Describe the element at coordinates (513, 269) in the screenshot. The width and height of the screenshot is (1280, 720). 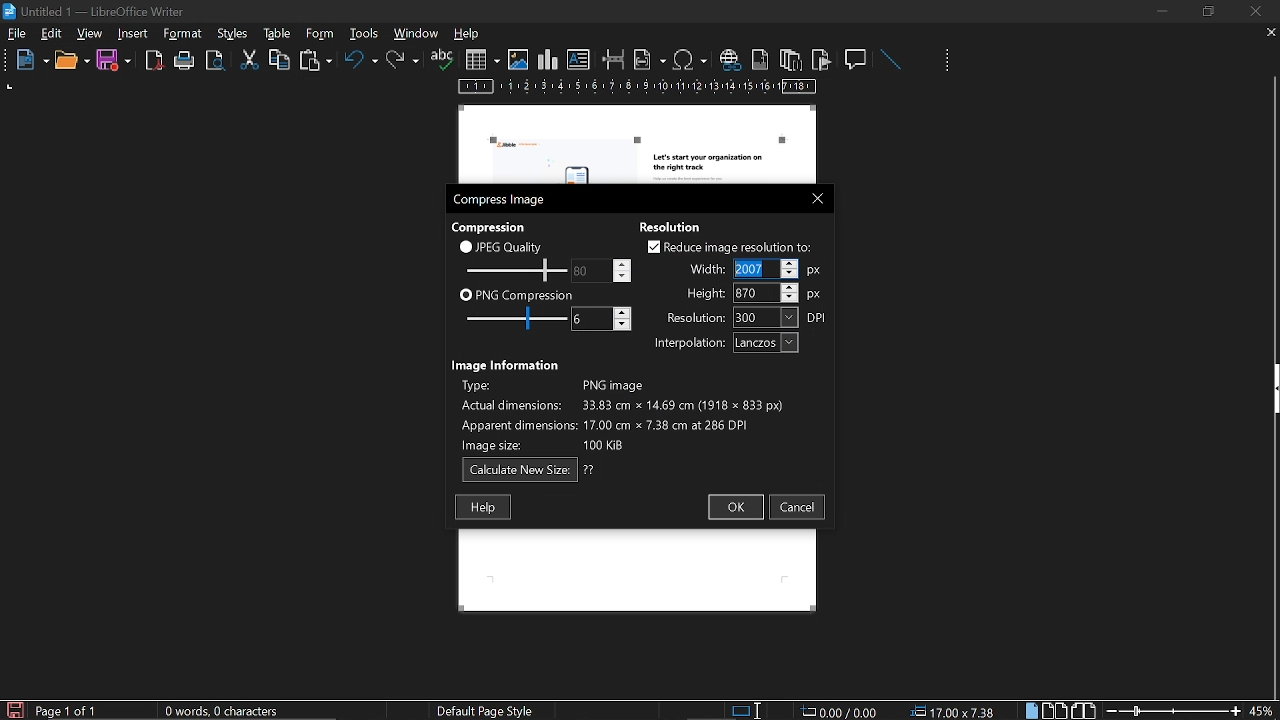
I see `jpeg quality scale` at that location.